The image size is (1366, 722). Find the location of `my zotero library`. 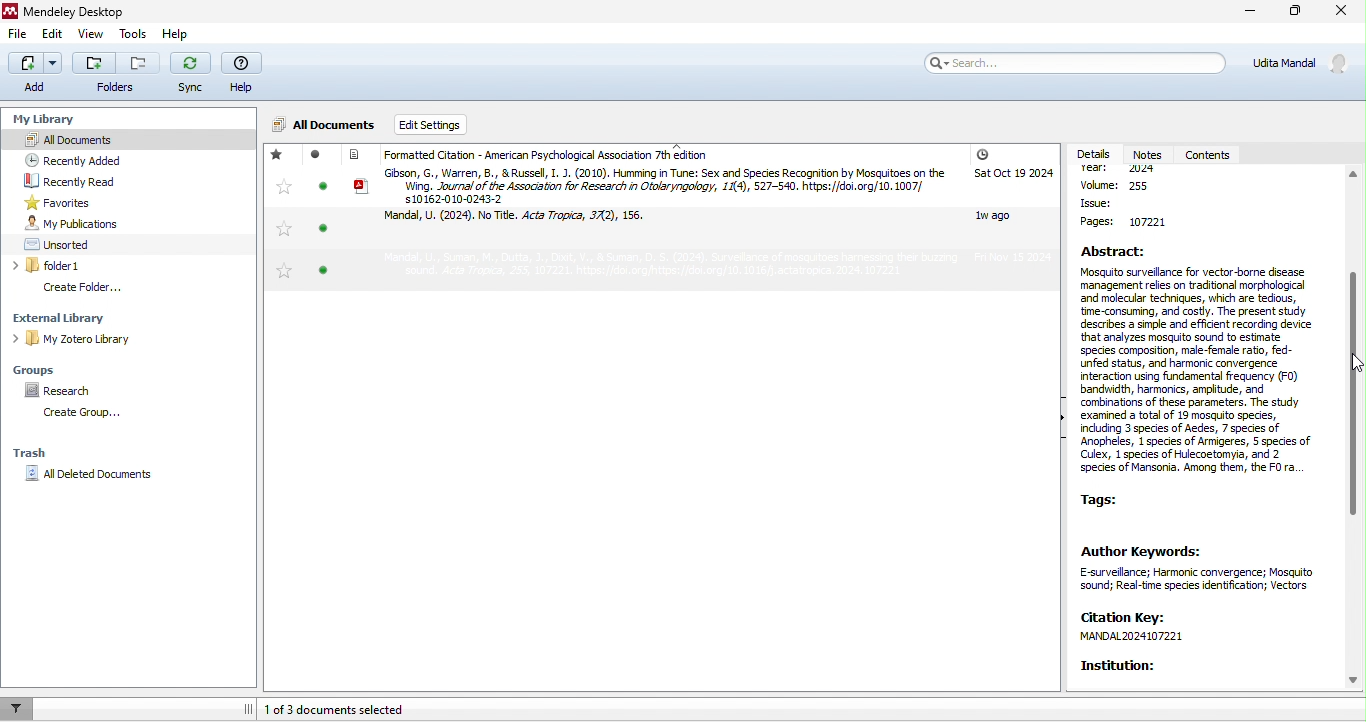

my zotero library is located at coordinates (118, 338).